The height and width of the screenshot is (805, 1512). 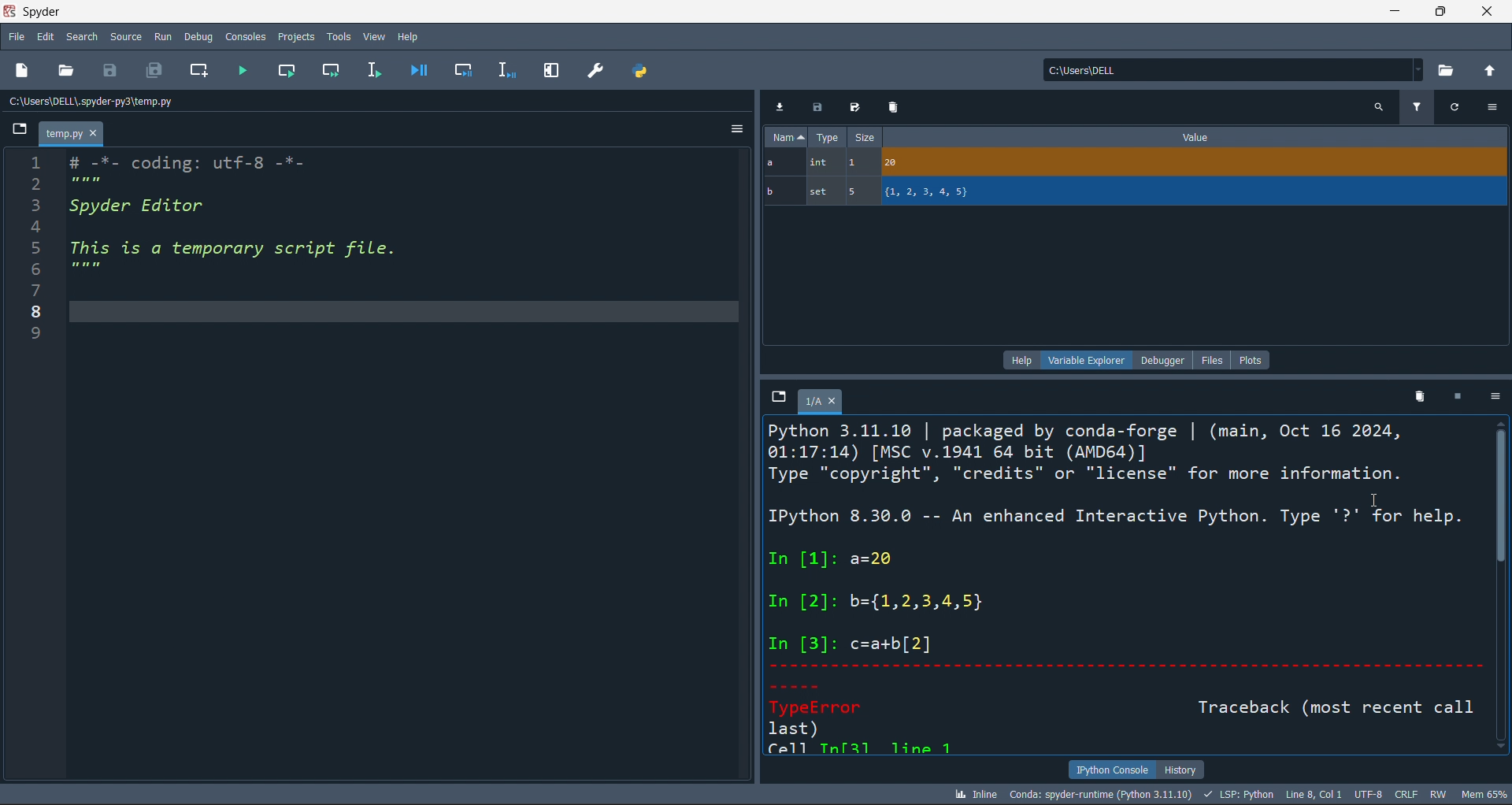 What do you see at coordinates (973, 793) in the screenshot?
I see `INLINE` at bounding box center [973, 793].